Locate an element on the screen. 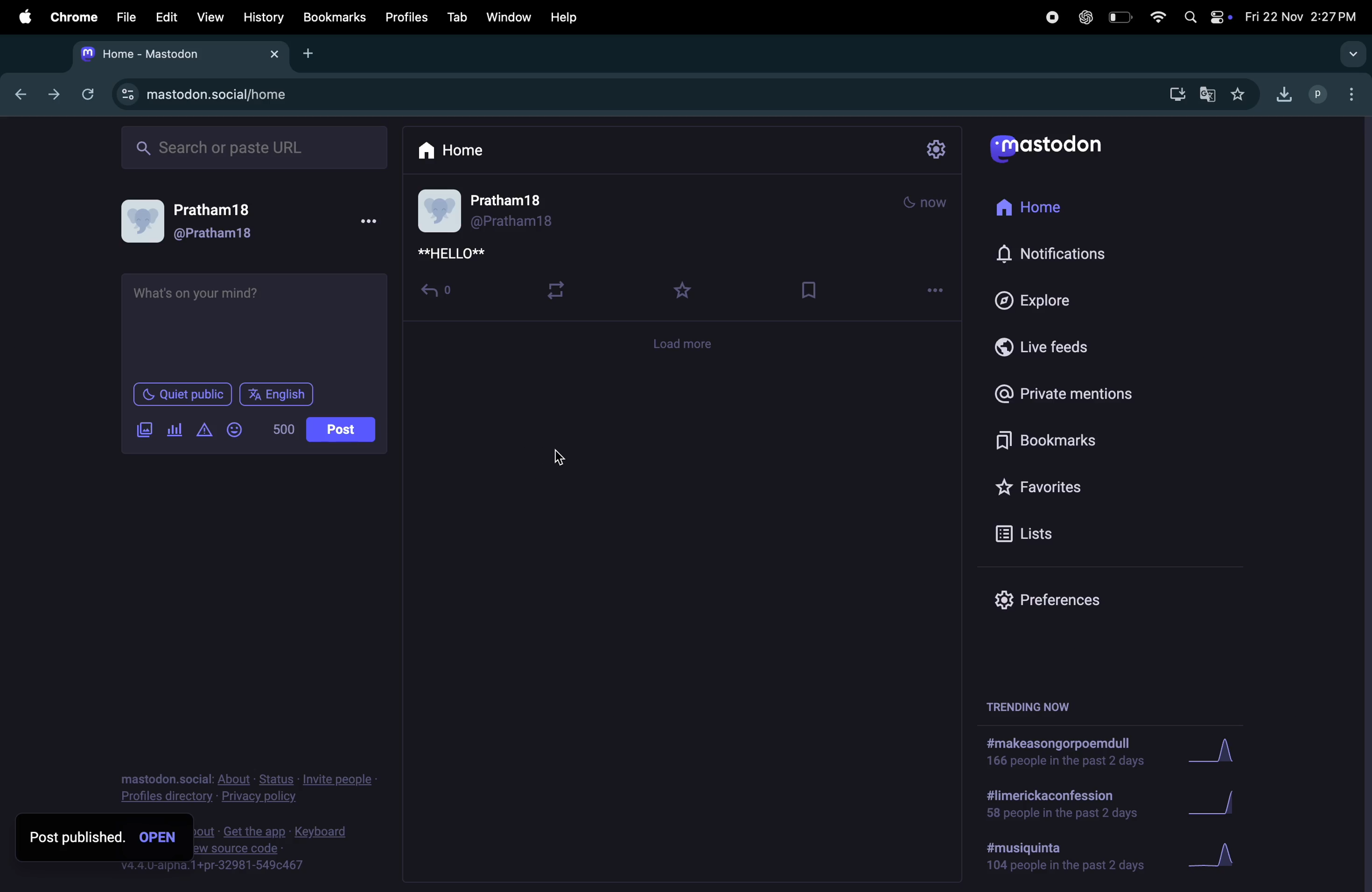 Image resolution: width=1372 pixels, height=892 pixels. graph is located at coordinates (1225, 751).